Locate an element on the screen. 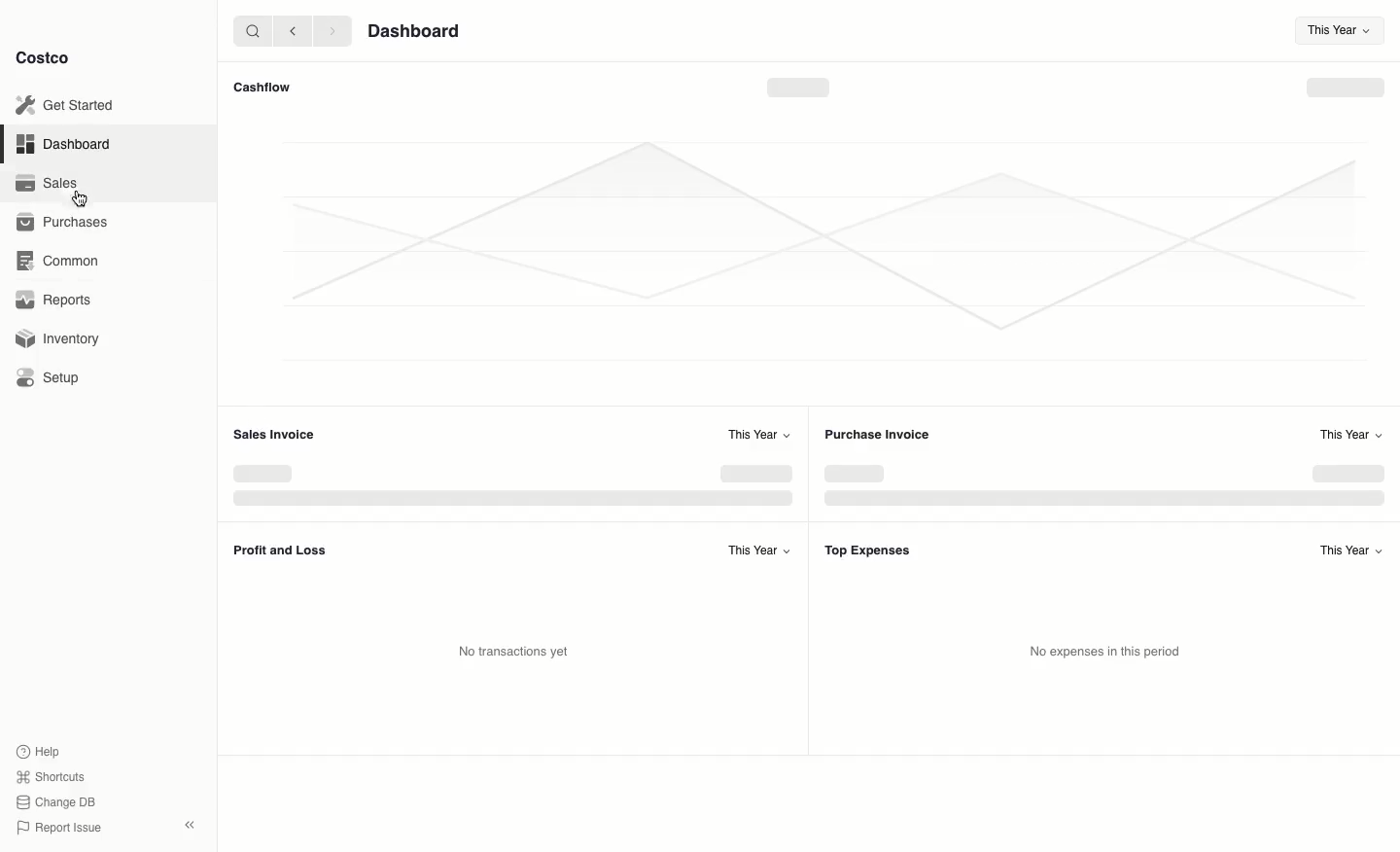  Shortcuts is located at coordinates (50, 777).